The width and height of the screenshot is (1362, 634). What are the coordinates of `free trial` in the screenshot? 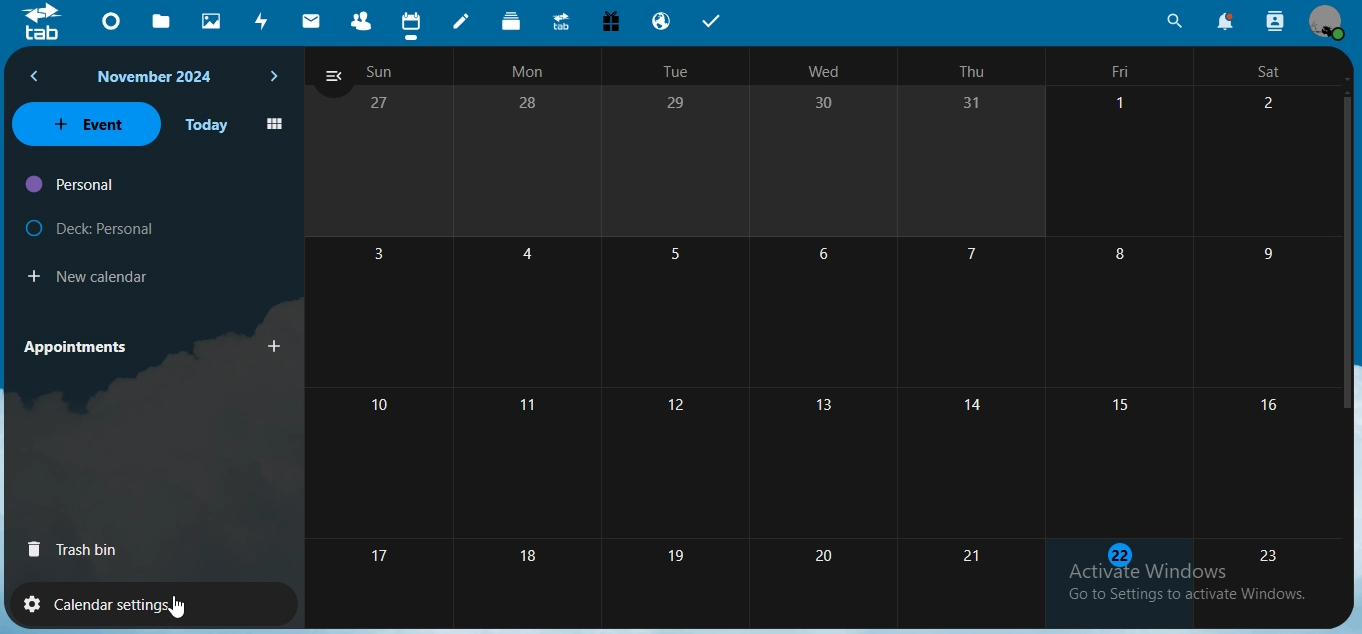 It's located at (610, 21).